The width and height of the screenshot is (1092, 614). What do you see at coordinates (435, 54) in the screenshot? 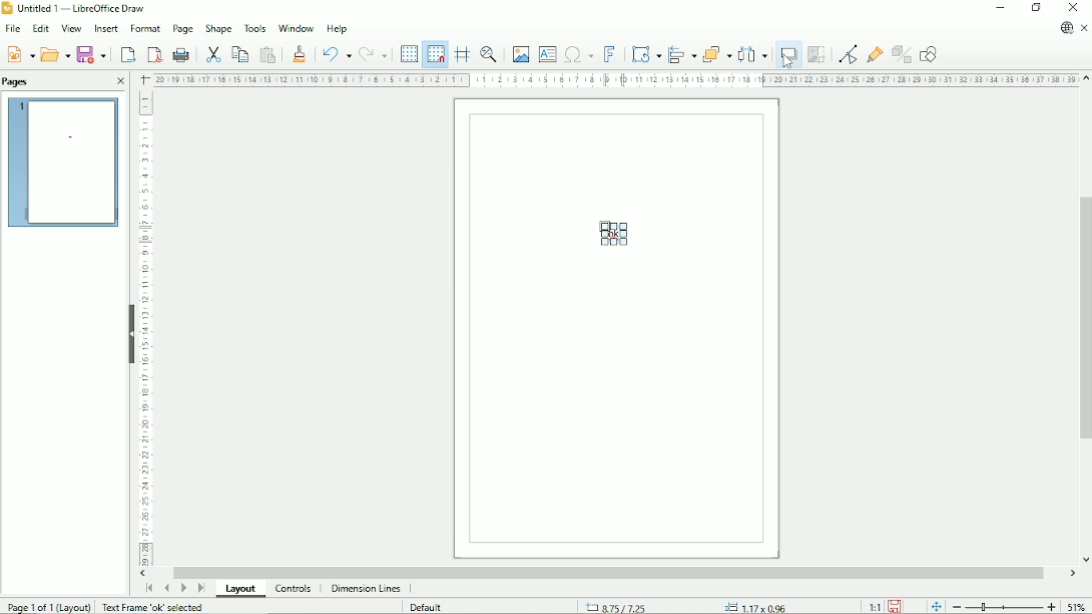
I see `Snap to grid` at bounding box center [435, 54].